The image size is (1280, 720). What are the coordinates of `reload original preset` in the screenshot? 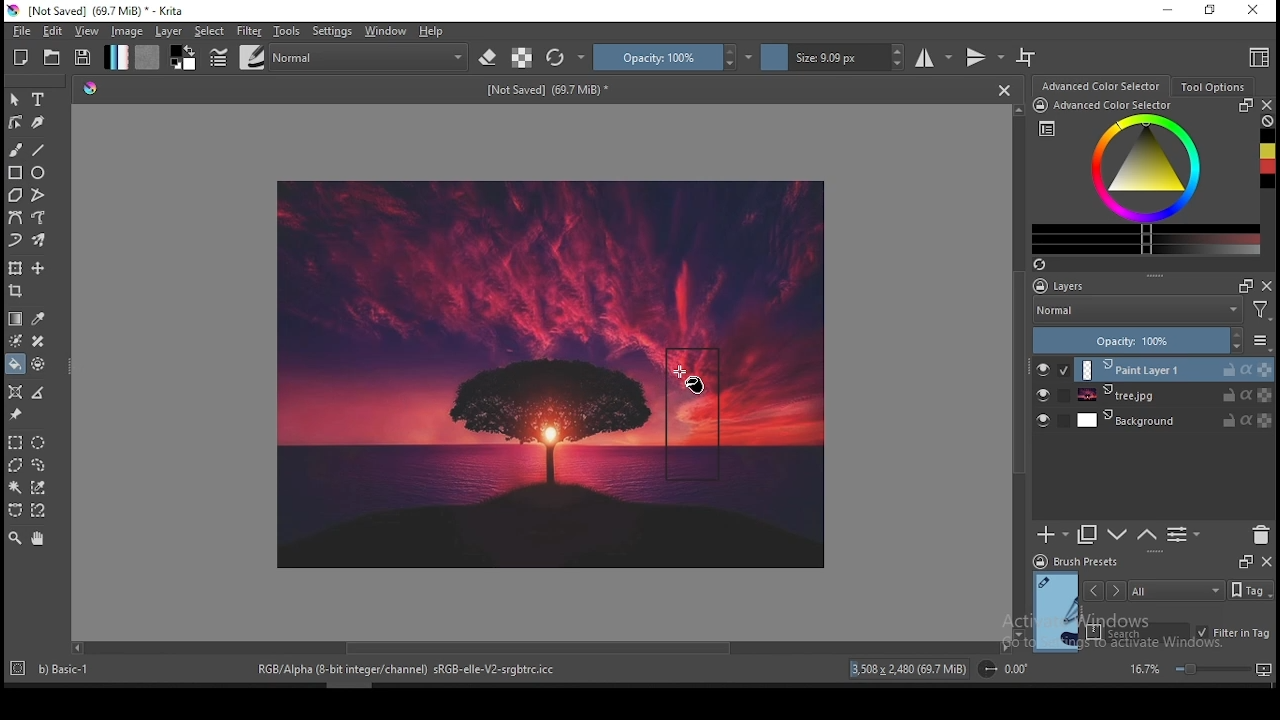 It's located at (566, 58).